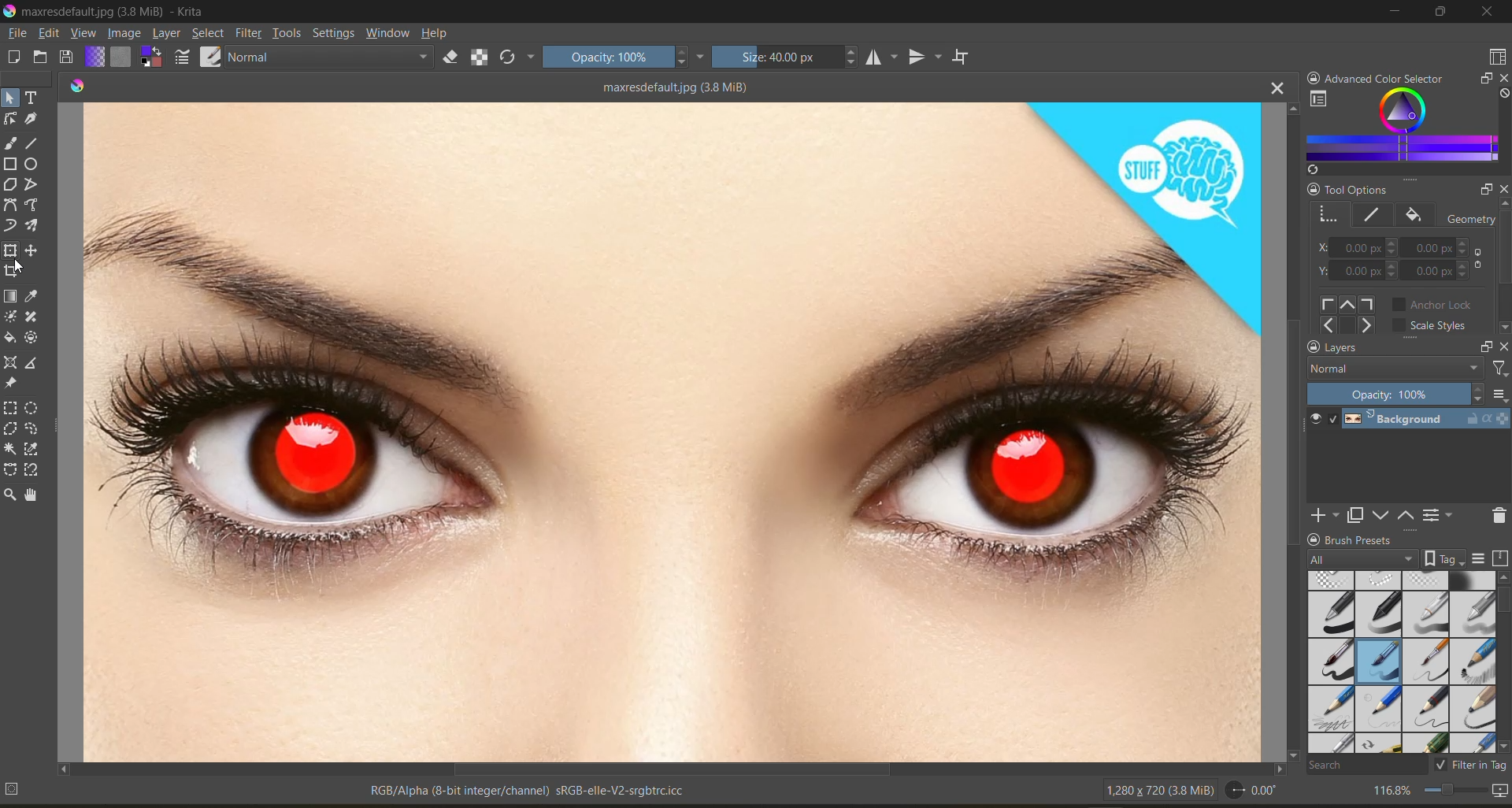 The width and height of the screenshot is (1512, 808). I want to click on edit brush settings, so click(184, 57).